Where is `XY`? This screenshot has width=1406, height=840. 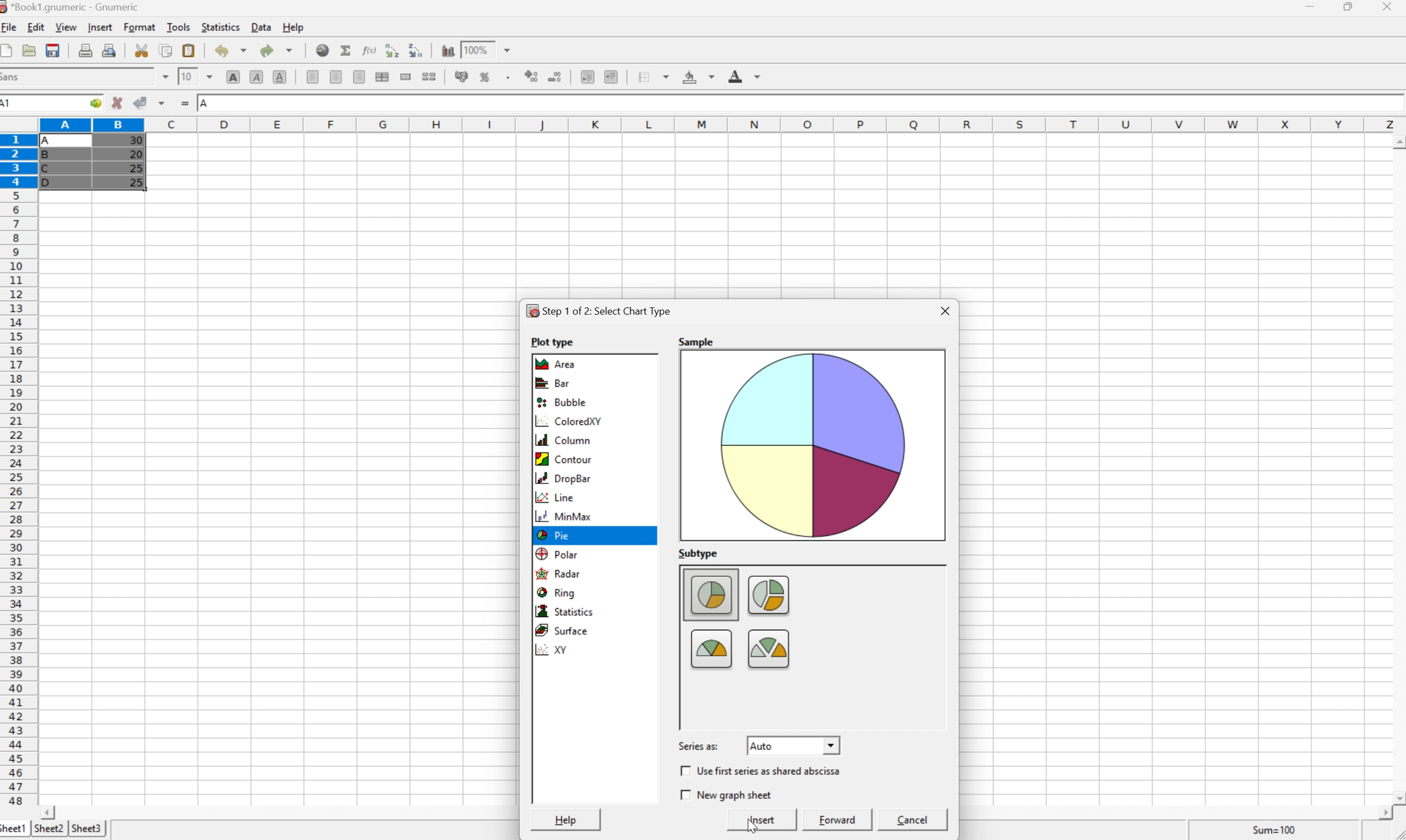 XY is located at coordinates (555, 650).